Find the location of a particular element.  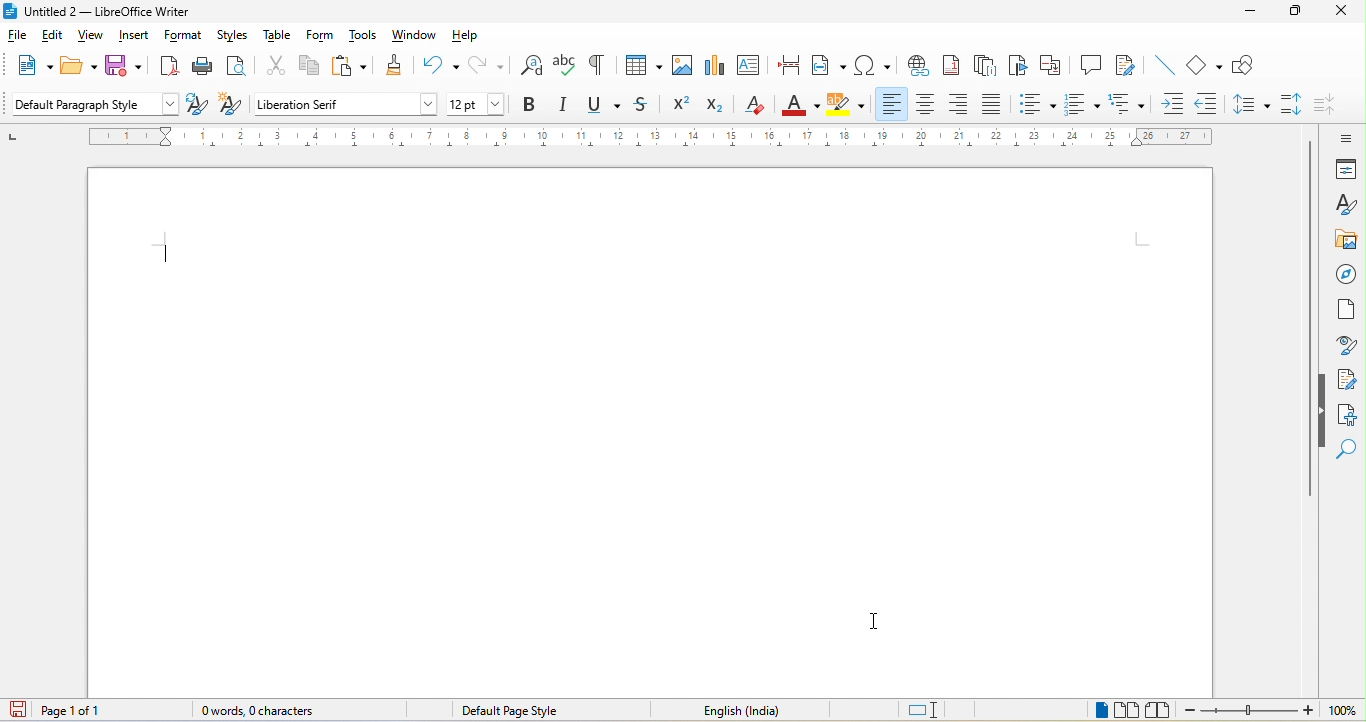

style inspecter is located at coordinates (1346, 347).